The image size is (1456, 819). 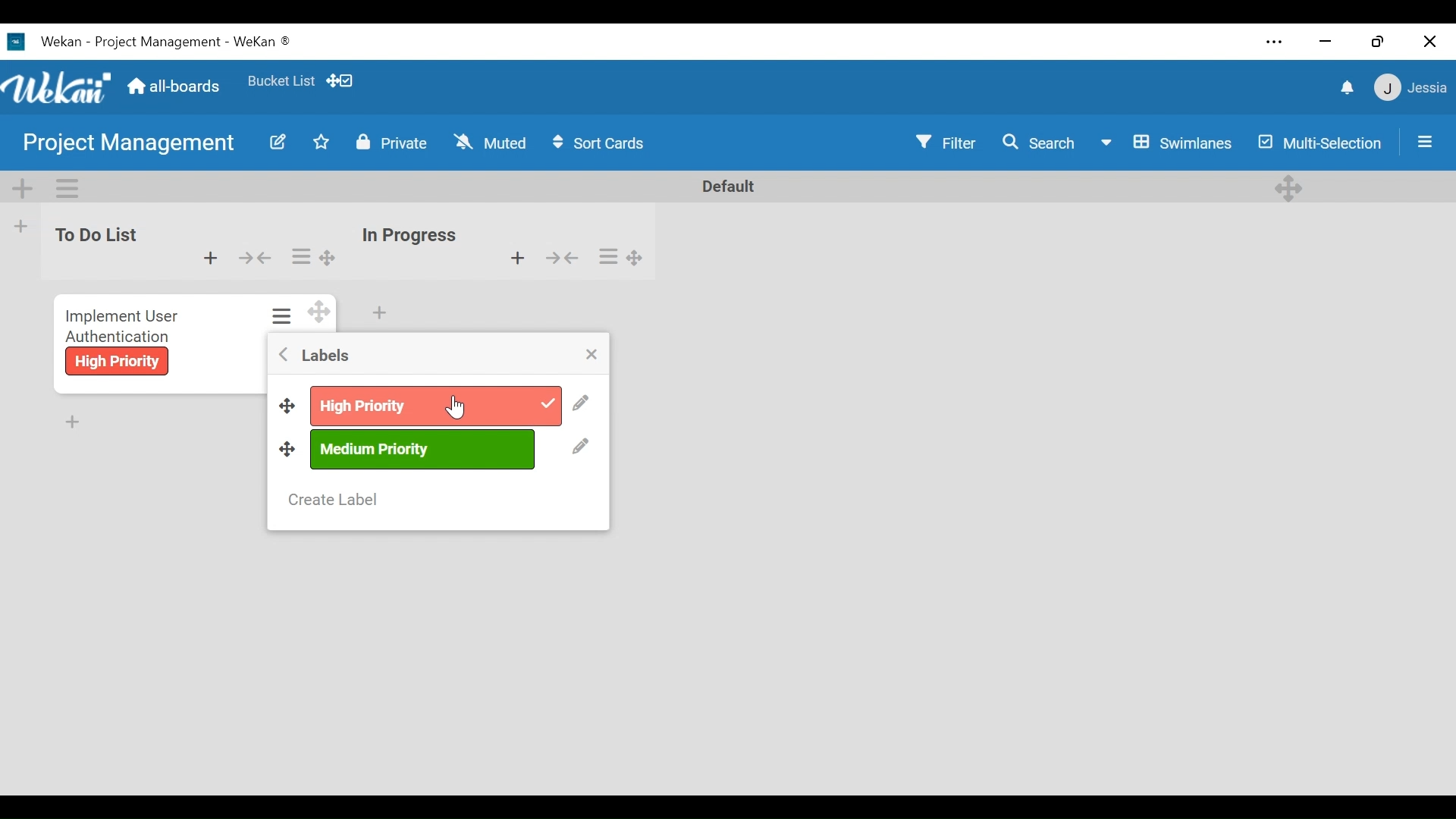 What do you see at coordinates (605, 142) in the screenshot?
I see `$ Sort Cards` at bounding box center [605, 142].